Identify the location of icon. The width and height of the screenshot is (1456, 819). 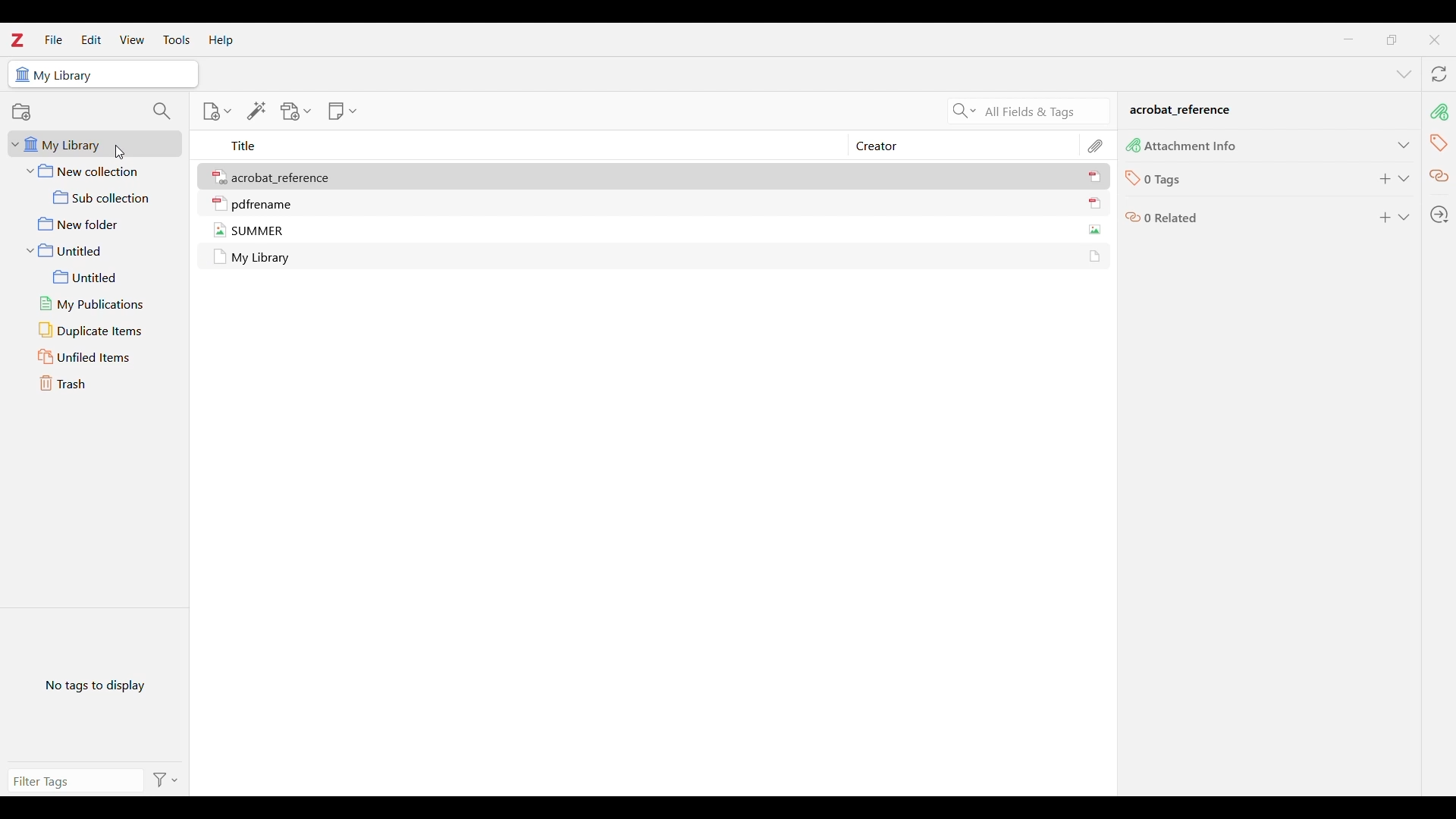
(1131, 179).